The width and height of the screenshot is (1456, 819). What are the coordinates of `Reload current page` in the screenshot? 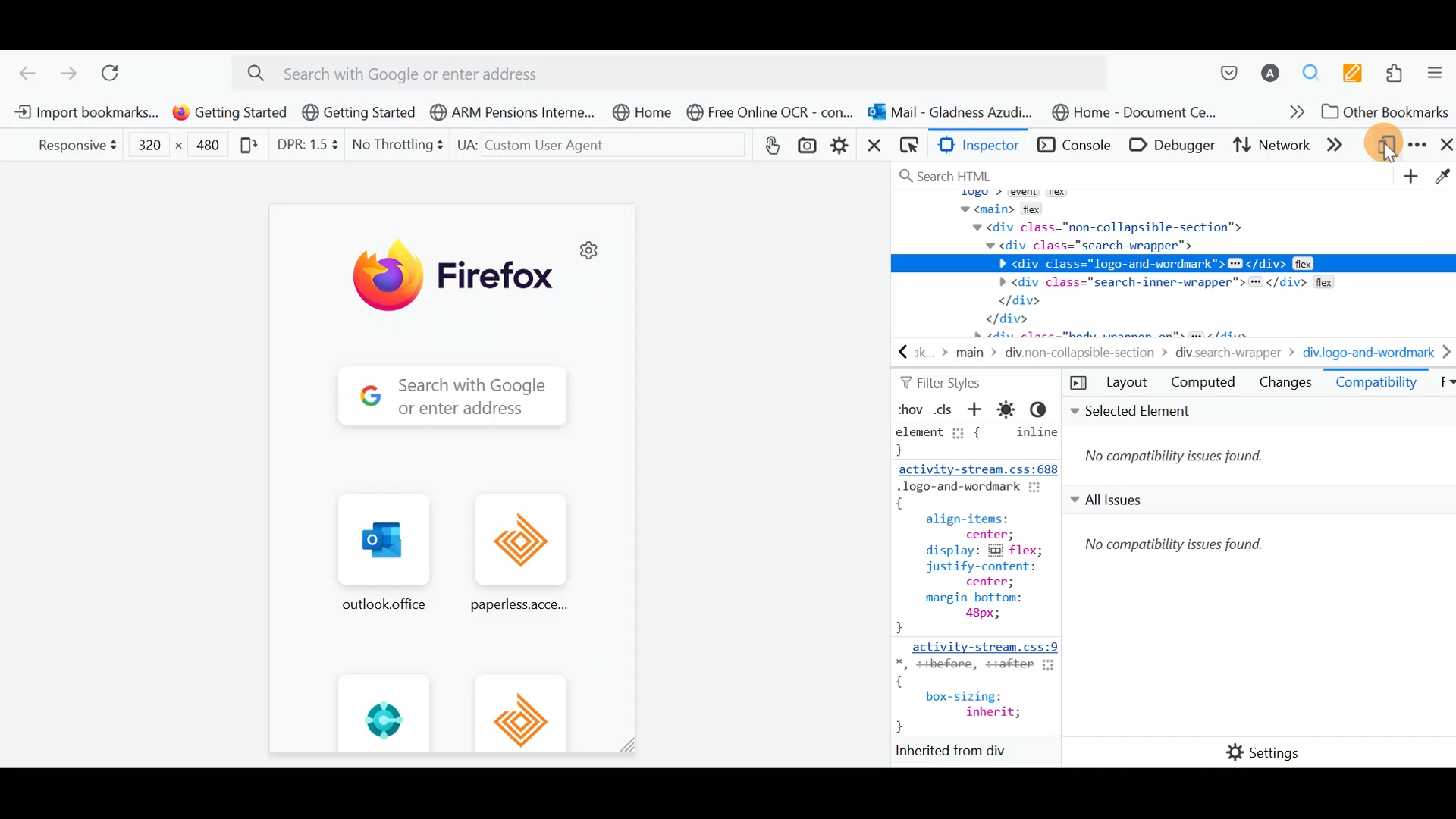 It's located at (115, 71).